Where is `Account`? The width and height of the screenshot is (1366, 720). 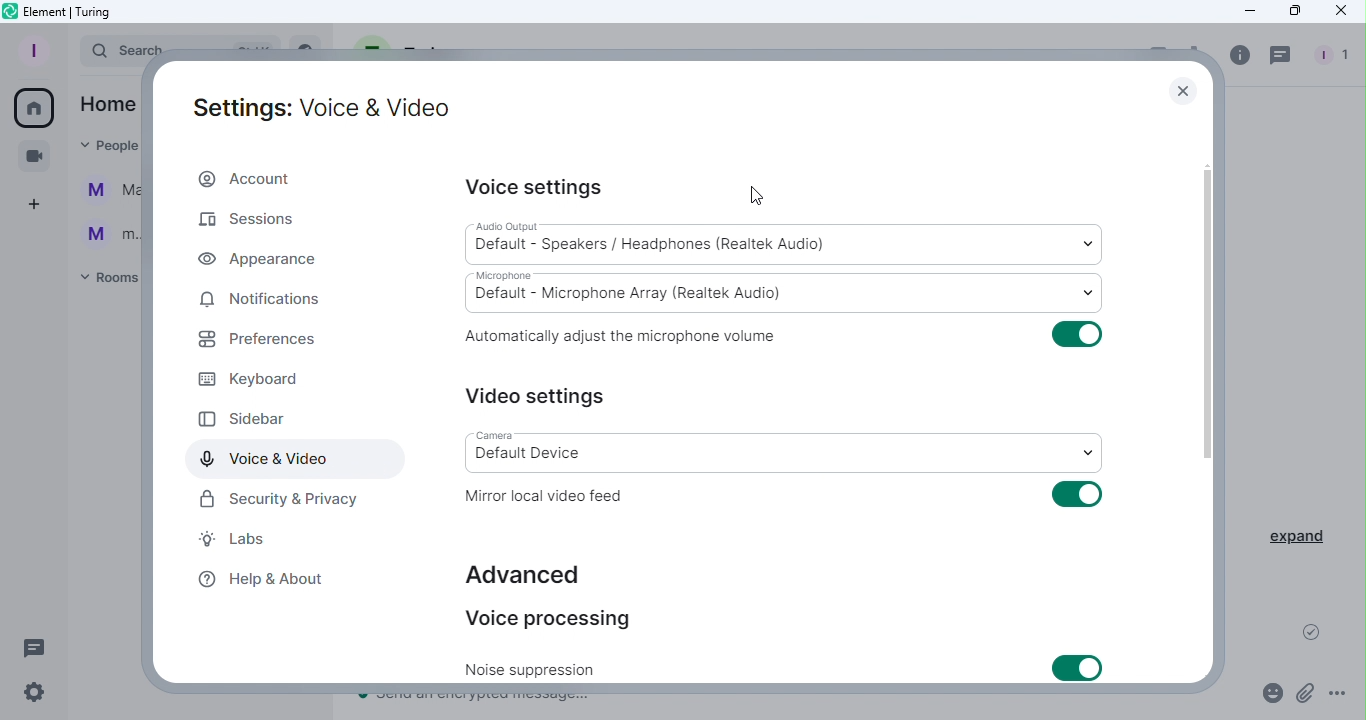
Account is located at coordinates (253, 176).